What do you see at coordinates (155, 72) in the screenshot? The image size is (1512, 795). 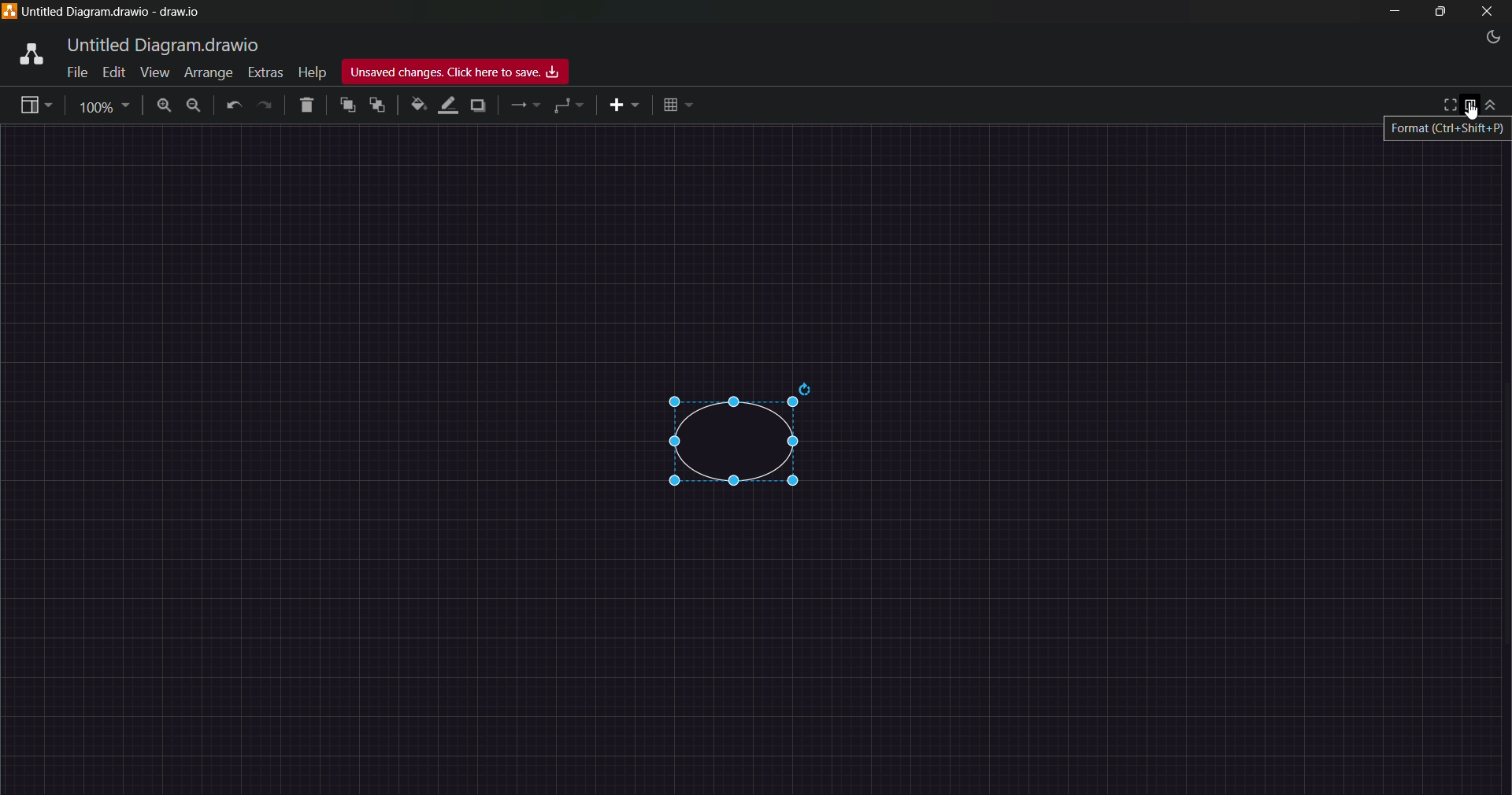 I see `view` at bounding box center [155, 72].